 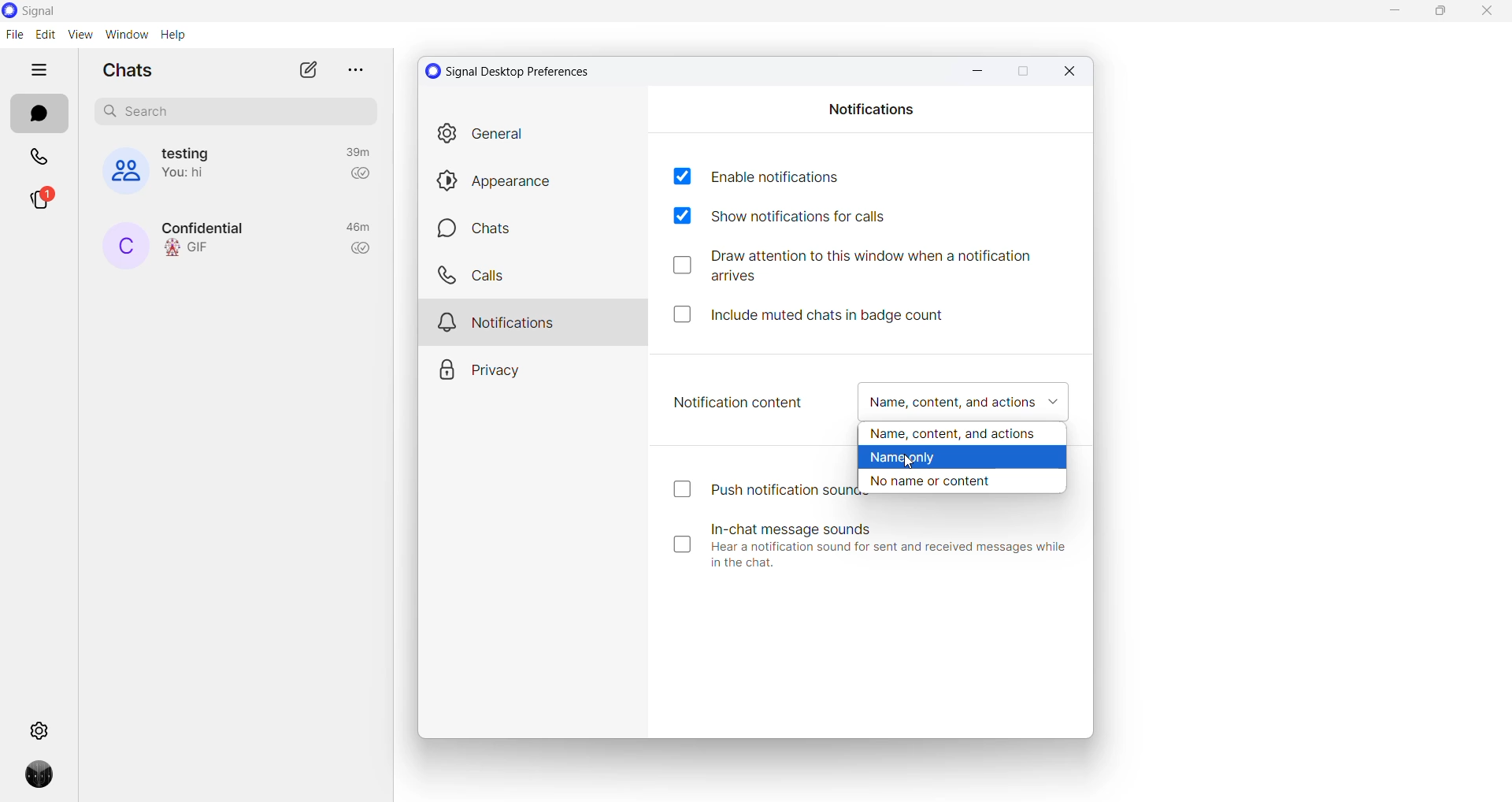 I want to click on In-chat message sounds
Hear a notification sound for sent and received messages while
in the chat., so click(x=873, y=544).